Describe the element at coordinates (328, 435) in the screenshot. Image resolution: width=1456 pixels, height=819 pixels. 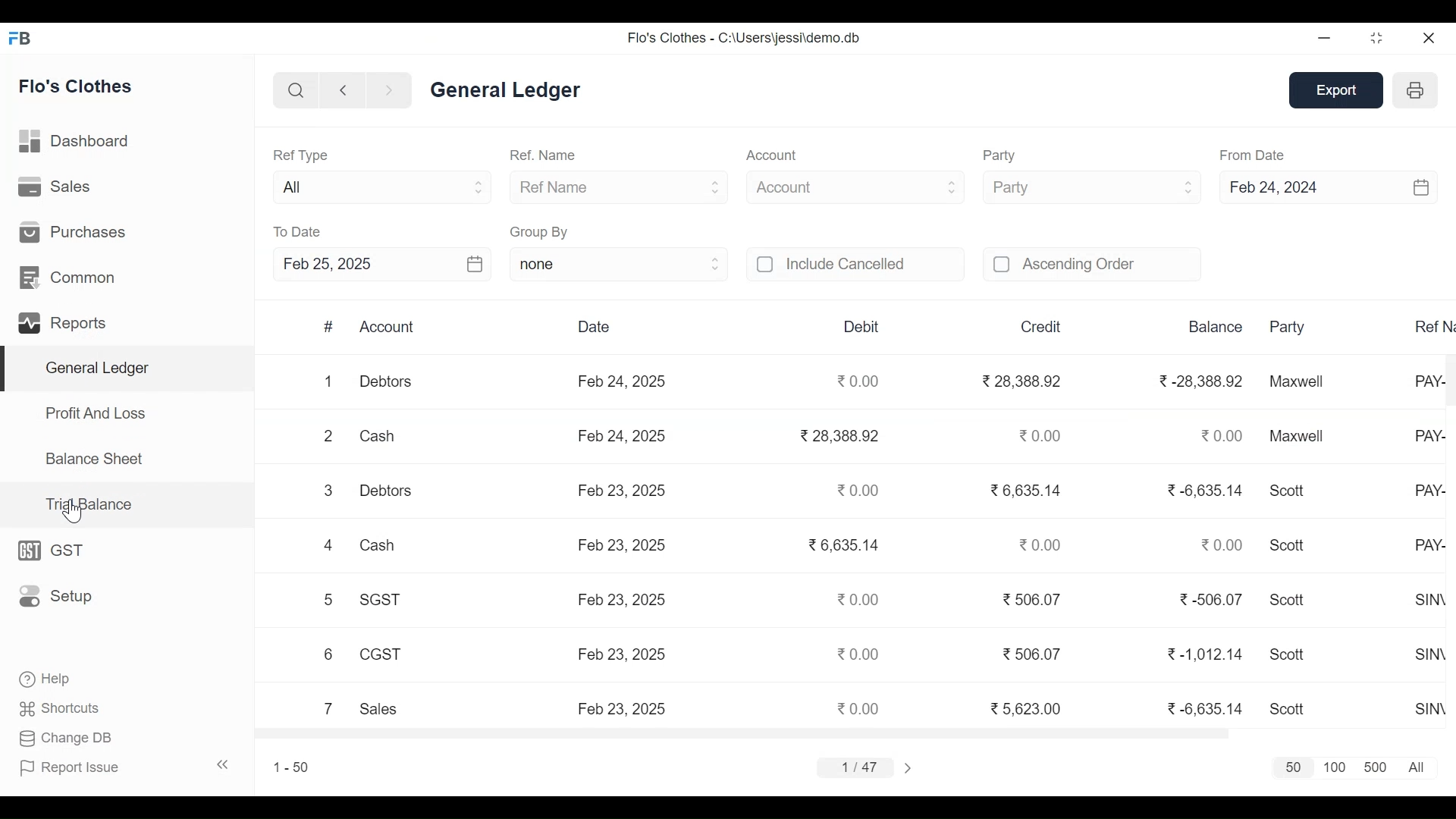
I see `2` at that location.